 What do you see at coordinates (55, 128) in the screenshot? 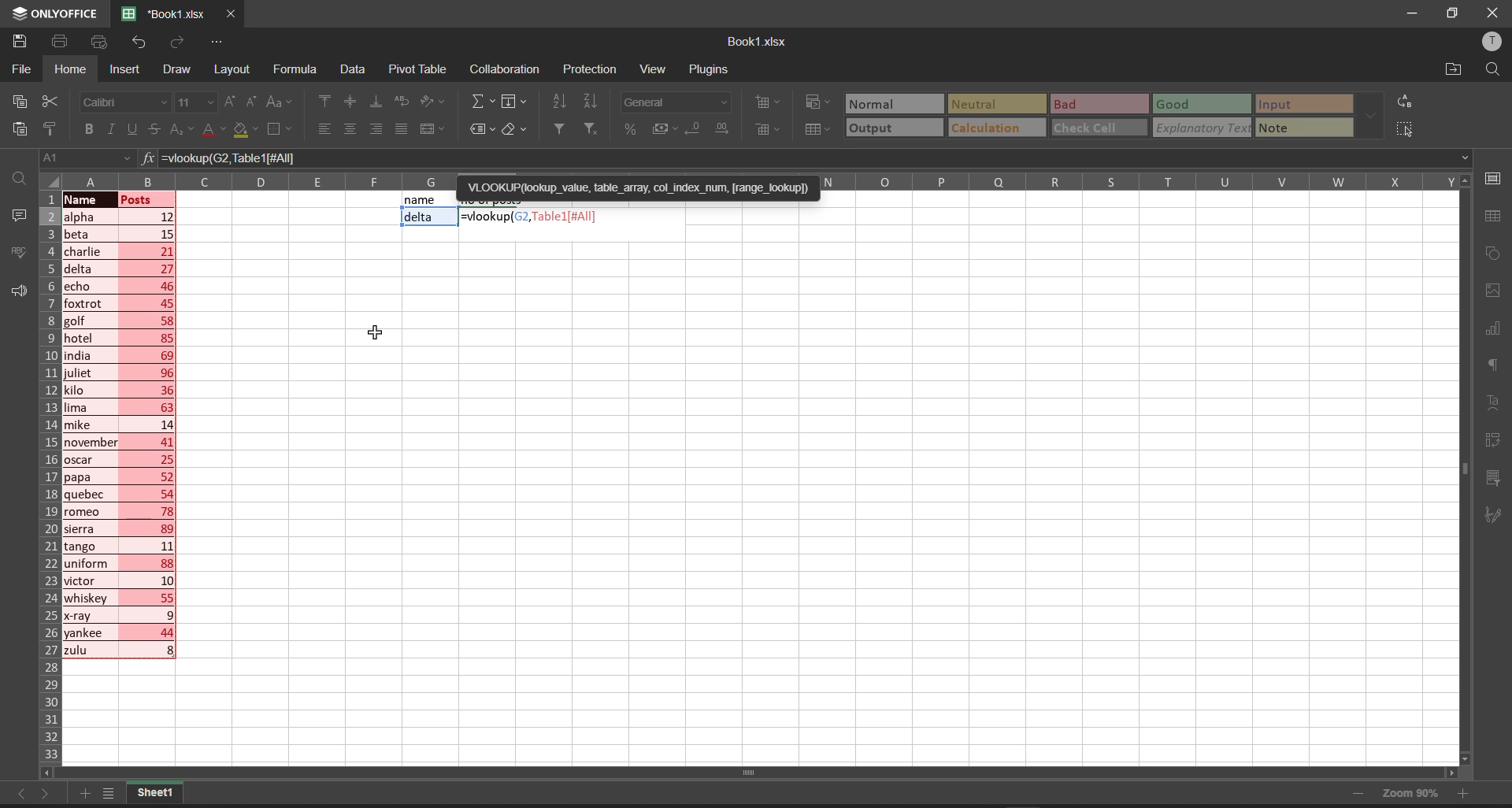
I see `copy style` at bounding box center [55, 128].